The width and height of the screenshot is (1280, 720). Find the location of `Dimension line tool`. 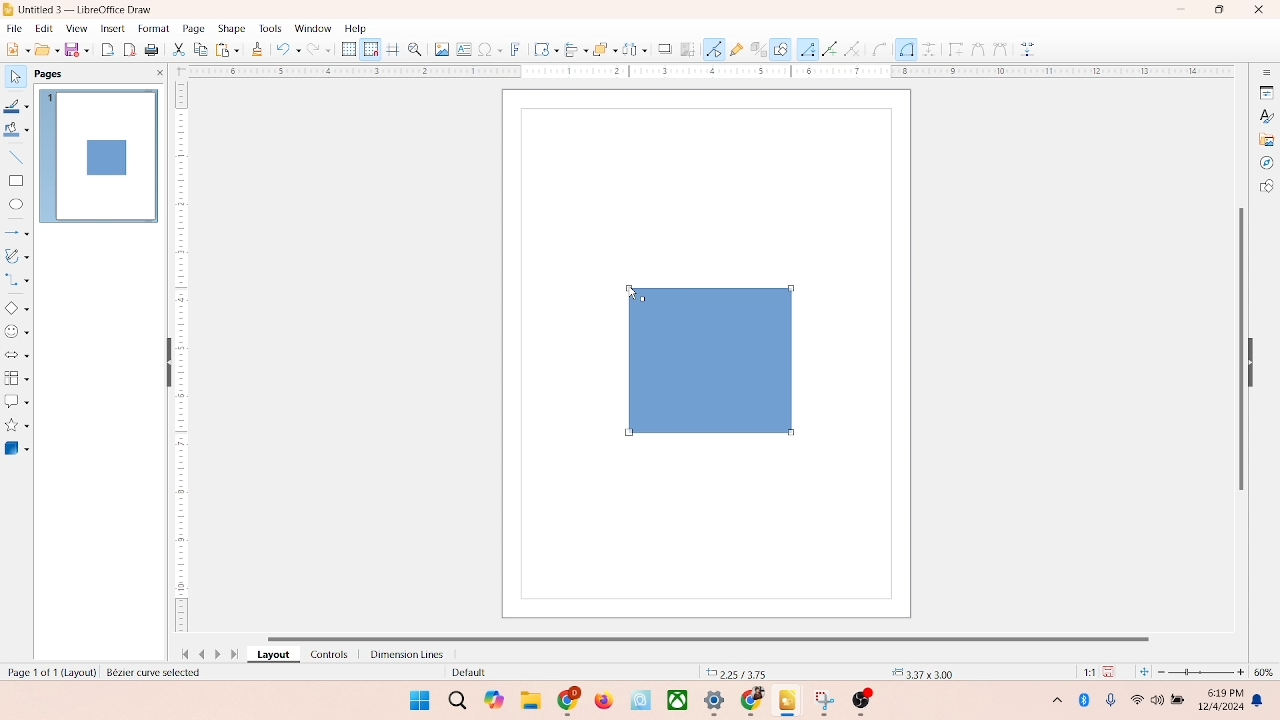

Dimension line tool is located at coordinates (929, 49).